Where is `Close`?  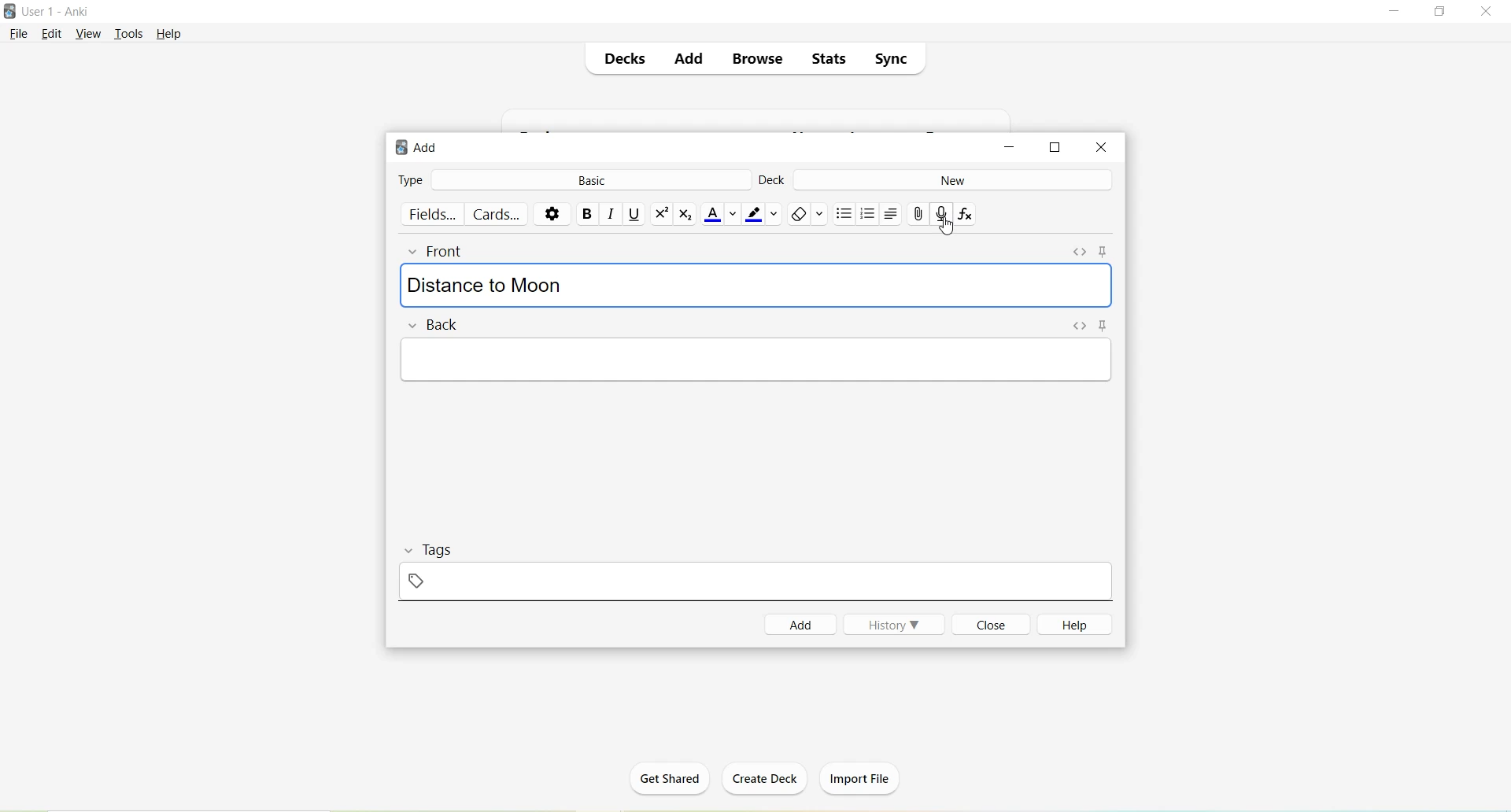 Close is located at coordinates (1101, 148).